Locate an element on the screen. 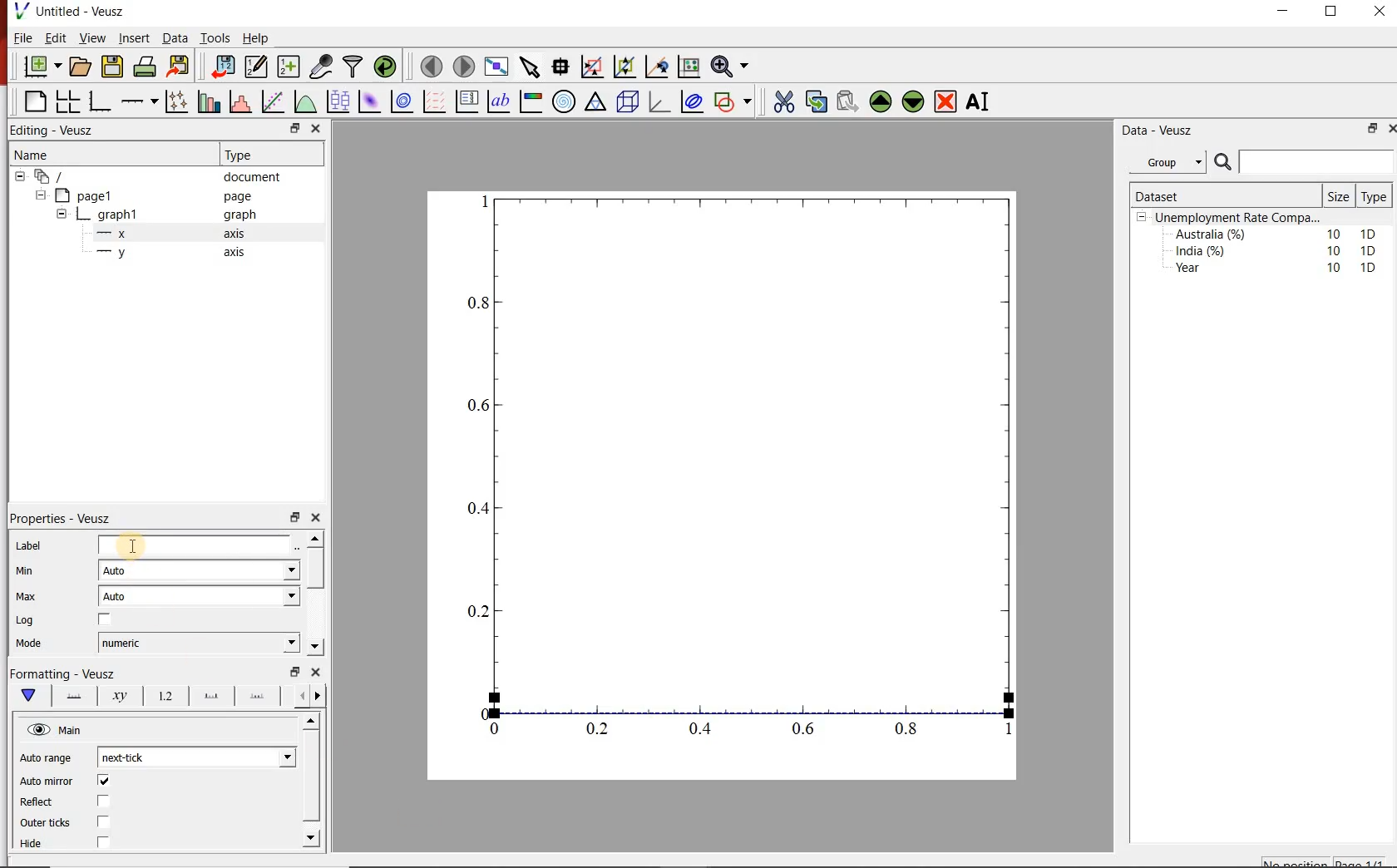 The height and width of the screenshot is (868, 1397). minimise is located at coordinates (1371, 128).